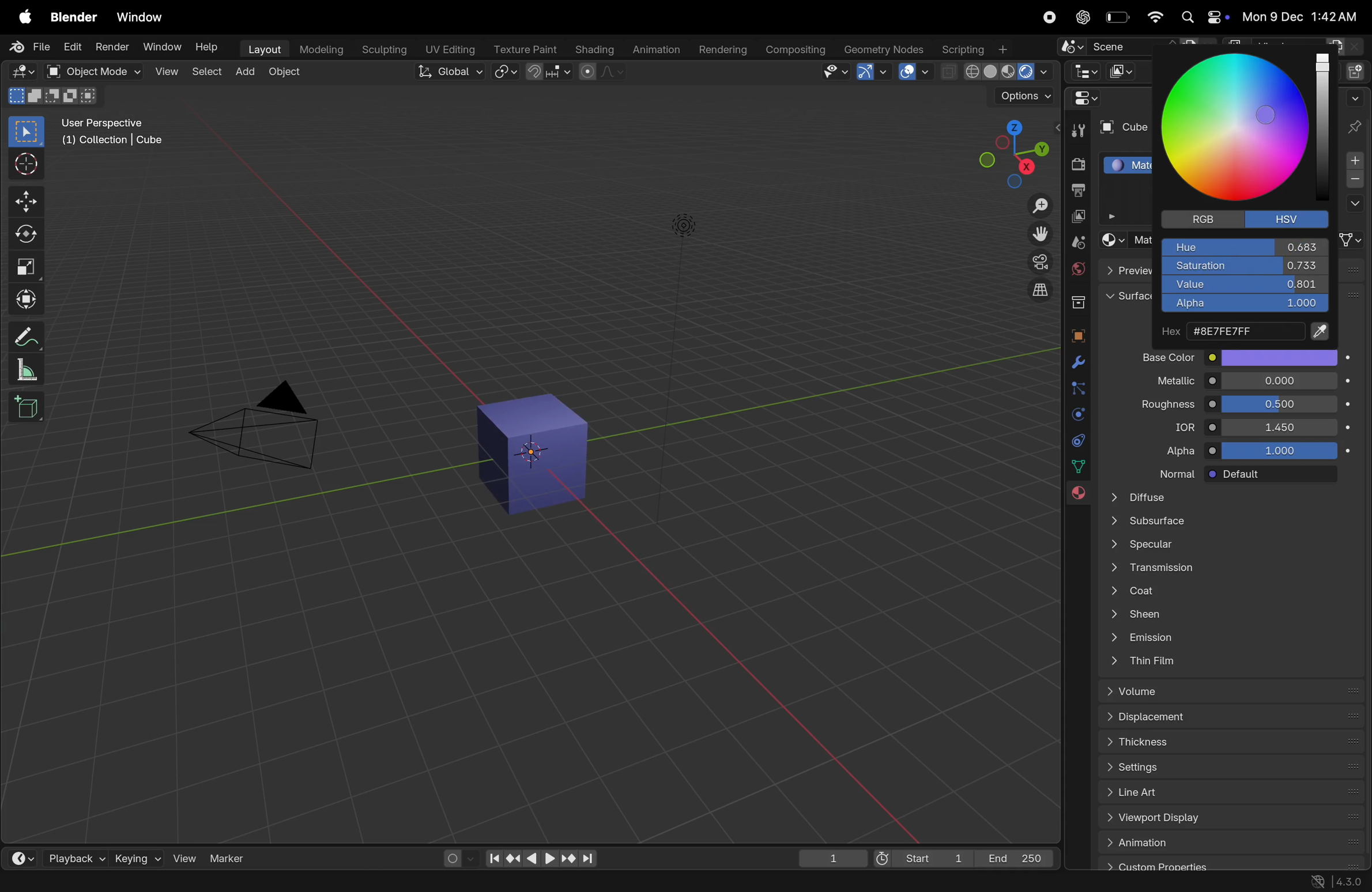 This screenshot has height=892, width=1372. What do you see at coordinates (112, 46) in the screenshot?
I see `render` at bounding box center [112, 46].